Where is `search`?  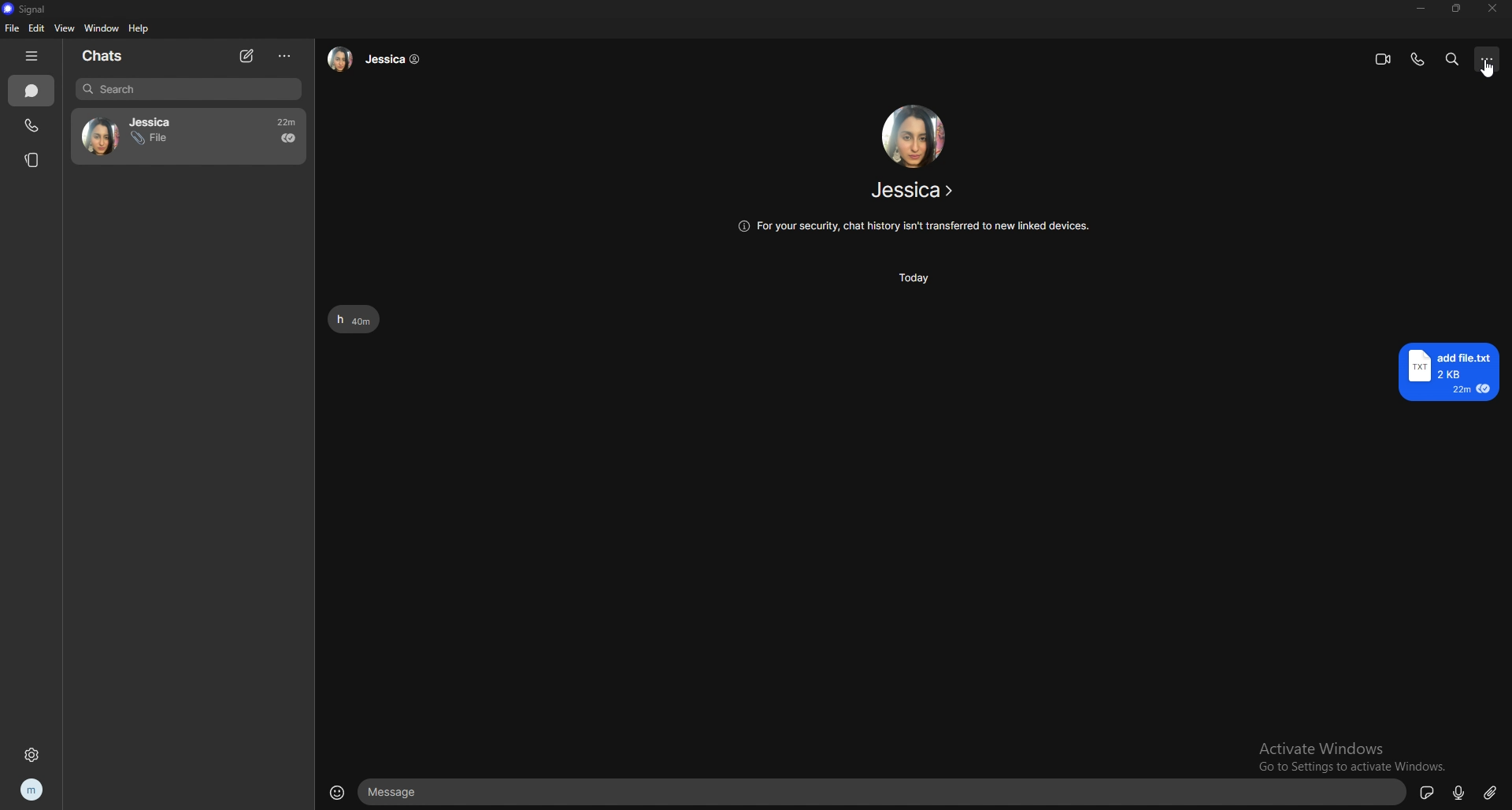 search is located at coordinates (1454, 60).